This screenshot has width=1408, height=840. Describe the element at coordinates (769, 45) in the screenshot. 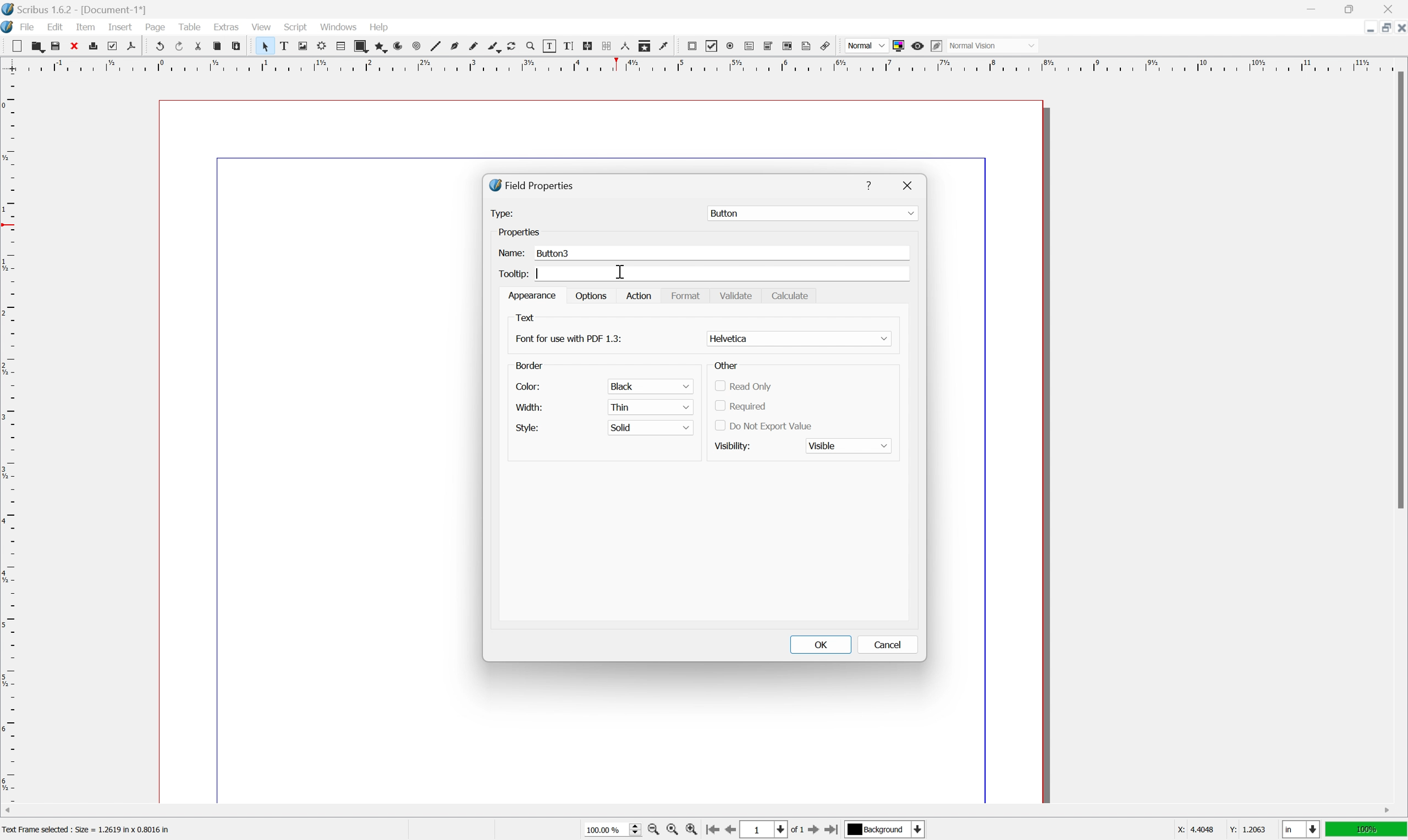

I see `pdf combo box` at that location.